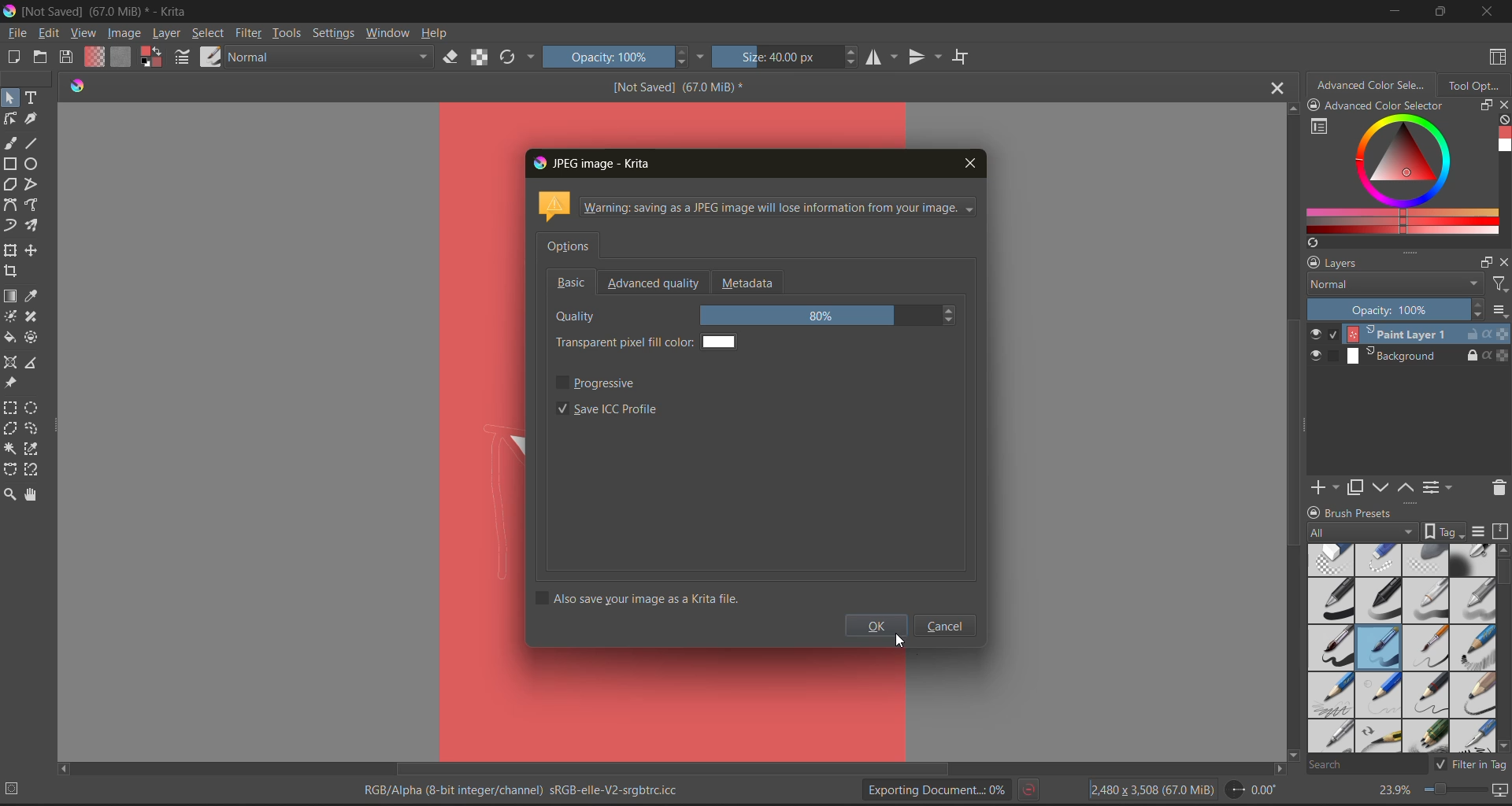  What do you see at coordinates (946, 625) in the screenshot?
I see `cancel` at bounding box center [946, 625].